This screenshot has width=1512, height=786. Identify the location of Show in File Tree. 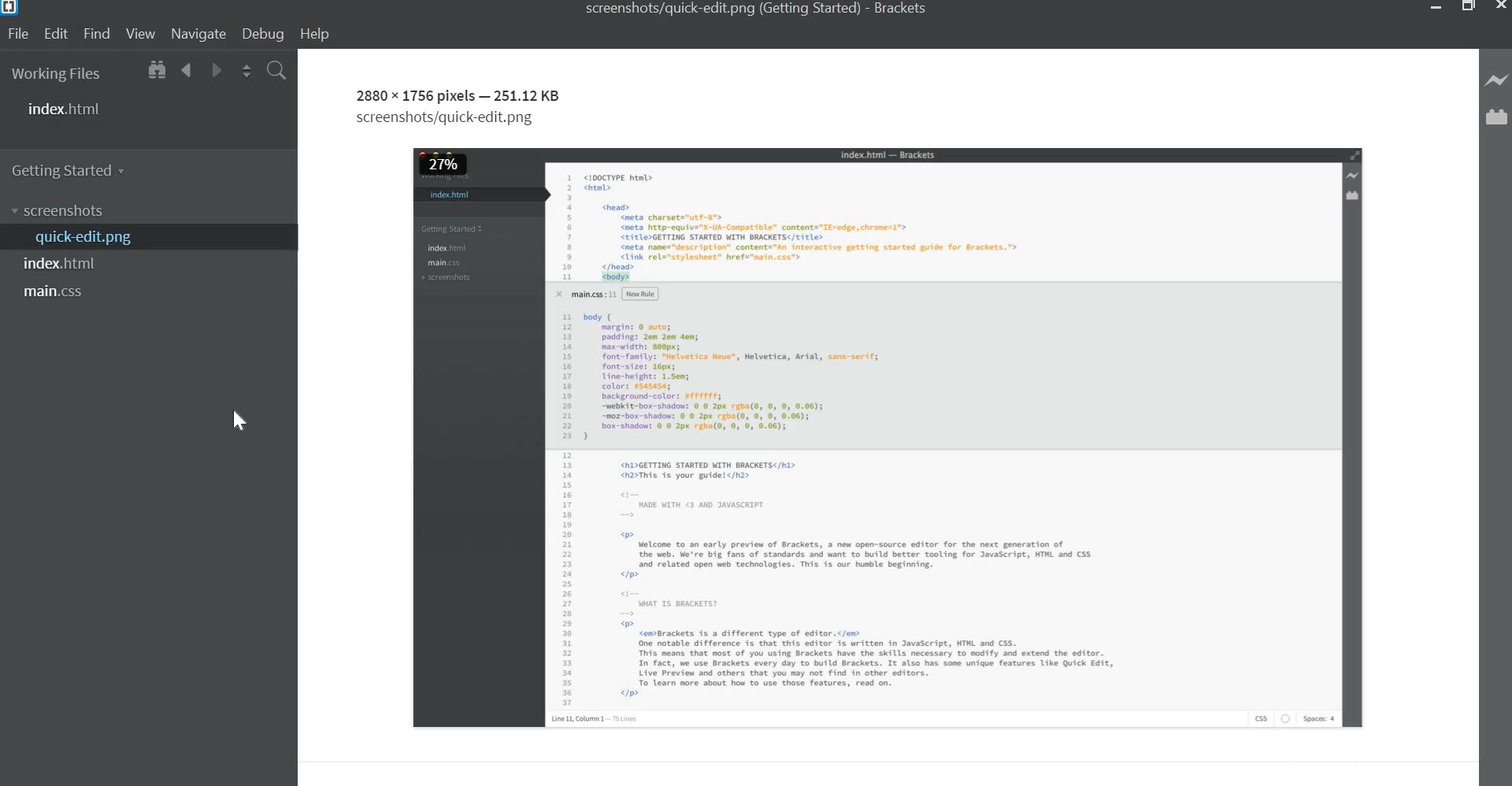
(155, 72).